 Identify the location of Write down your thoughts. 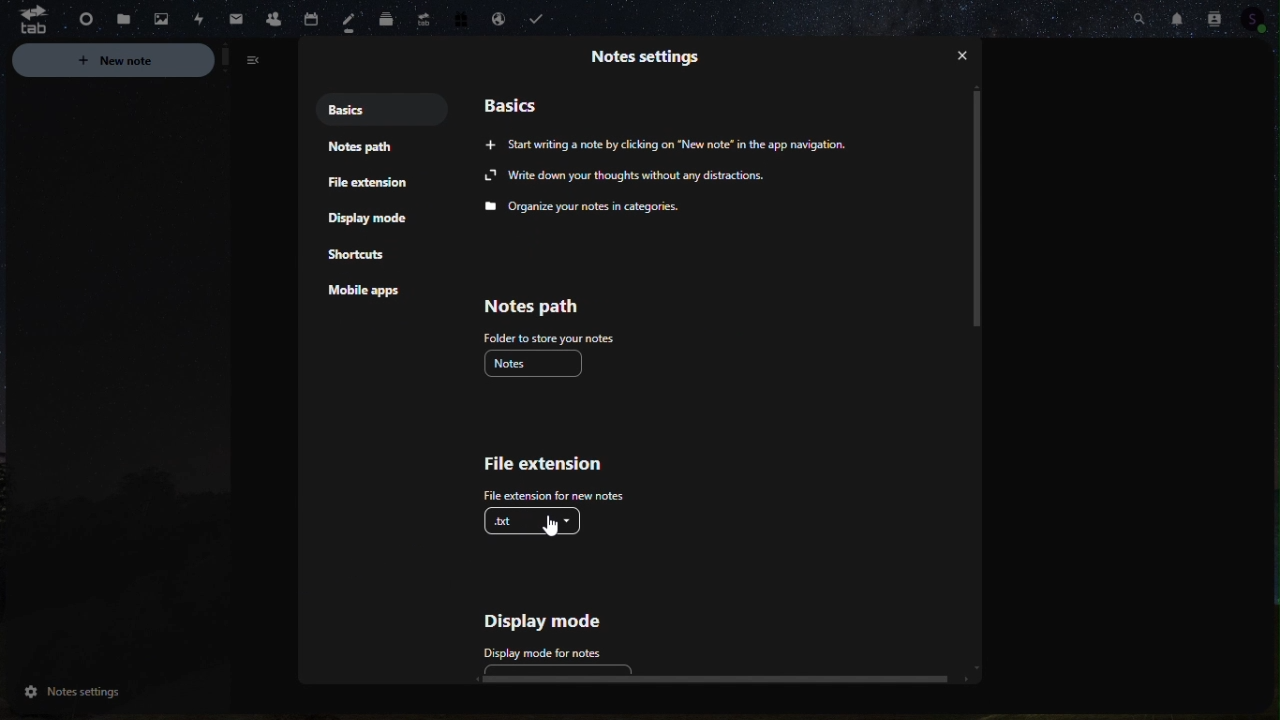
(629, 190).